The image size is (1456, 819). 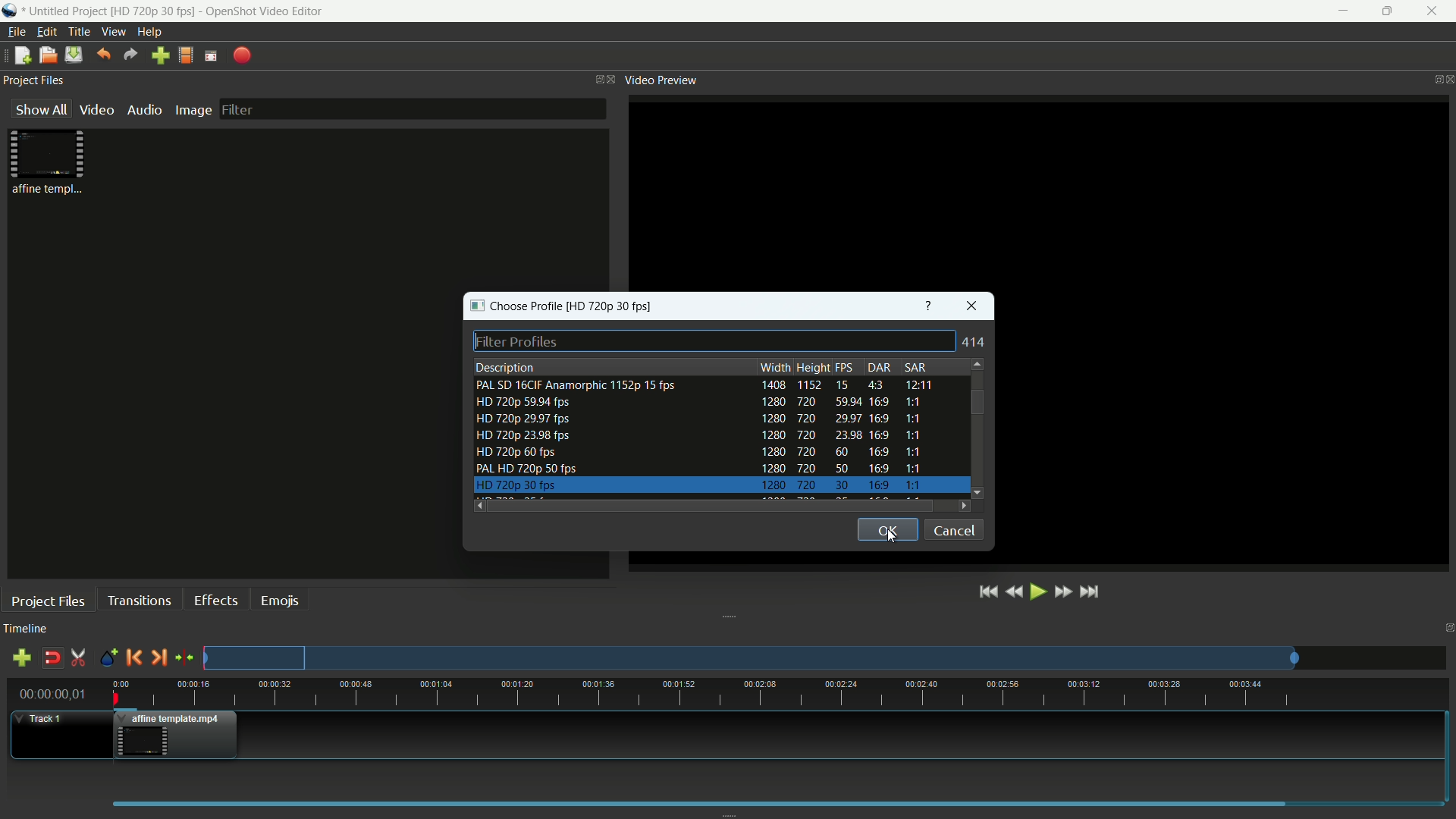 I want to click on filter profiles, so click(x=715, y=340).